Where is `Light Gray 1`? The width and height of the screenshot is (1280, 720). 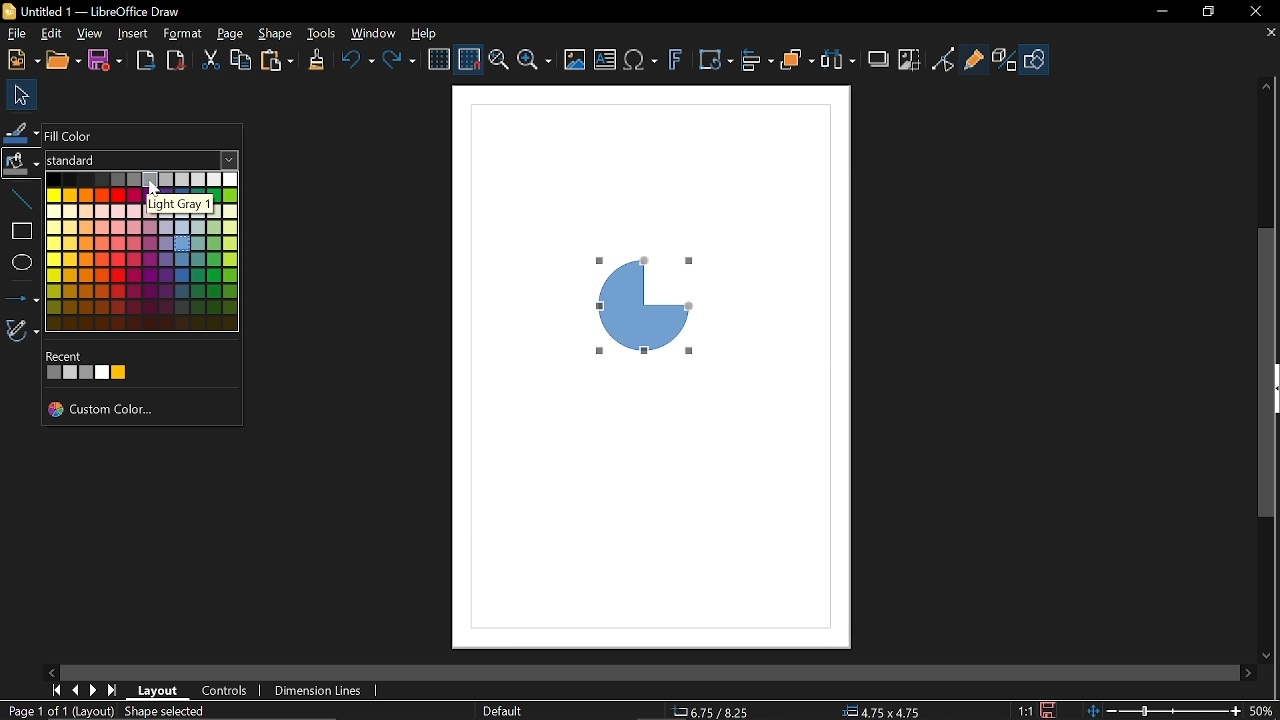 Light Gray 1 is located at coordinates (178, 204).